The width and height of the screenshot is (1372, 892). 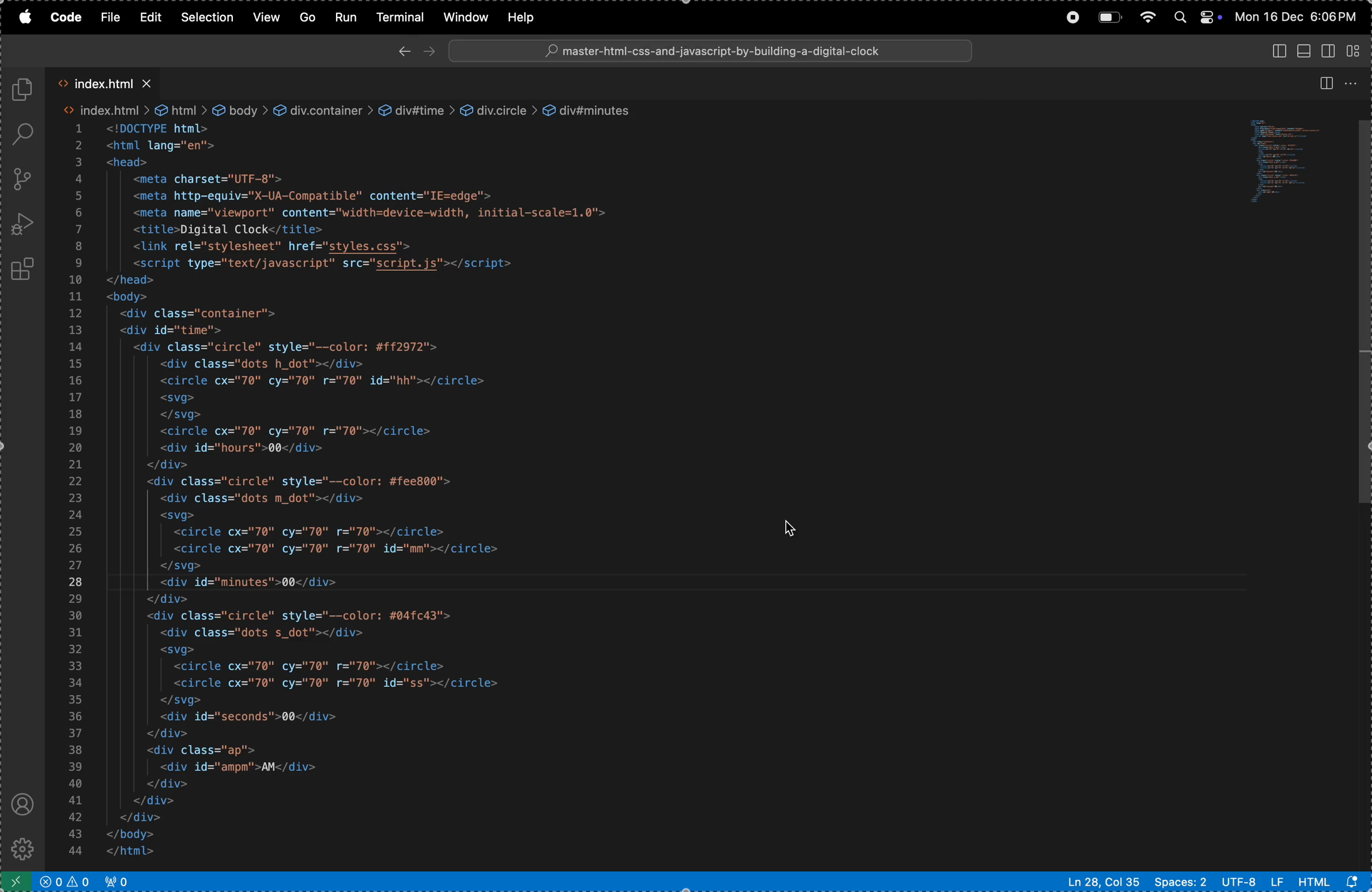 I want to click on selection, so click(x=206, y=17).